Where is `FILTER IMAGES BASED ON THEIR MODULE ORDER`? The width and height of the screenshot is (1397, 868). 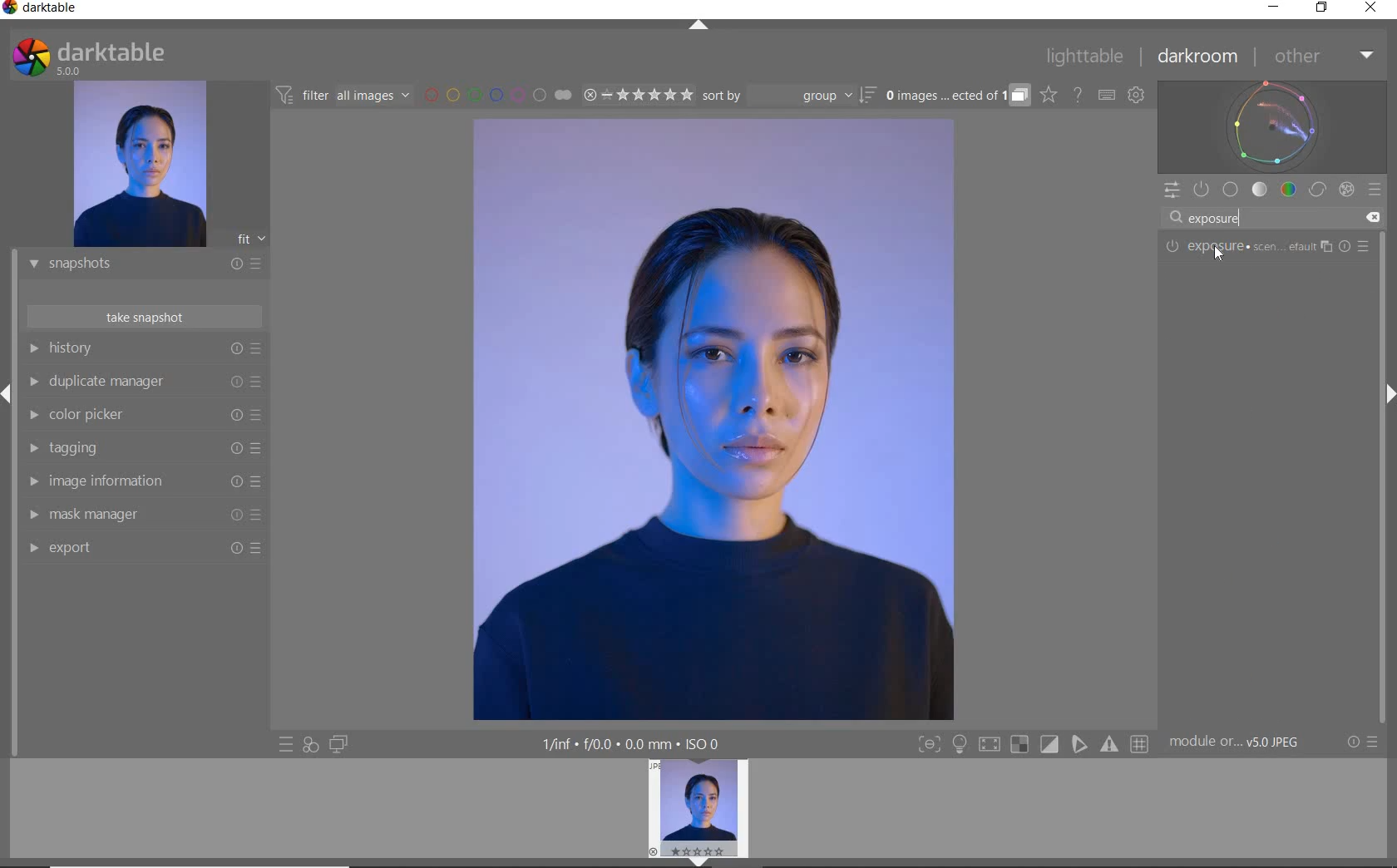
FILTER IMAGES BASED ON THEIR MODULE ORDER is located at coordinates (343, 98).